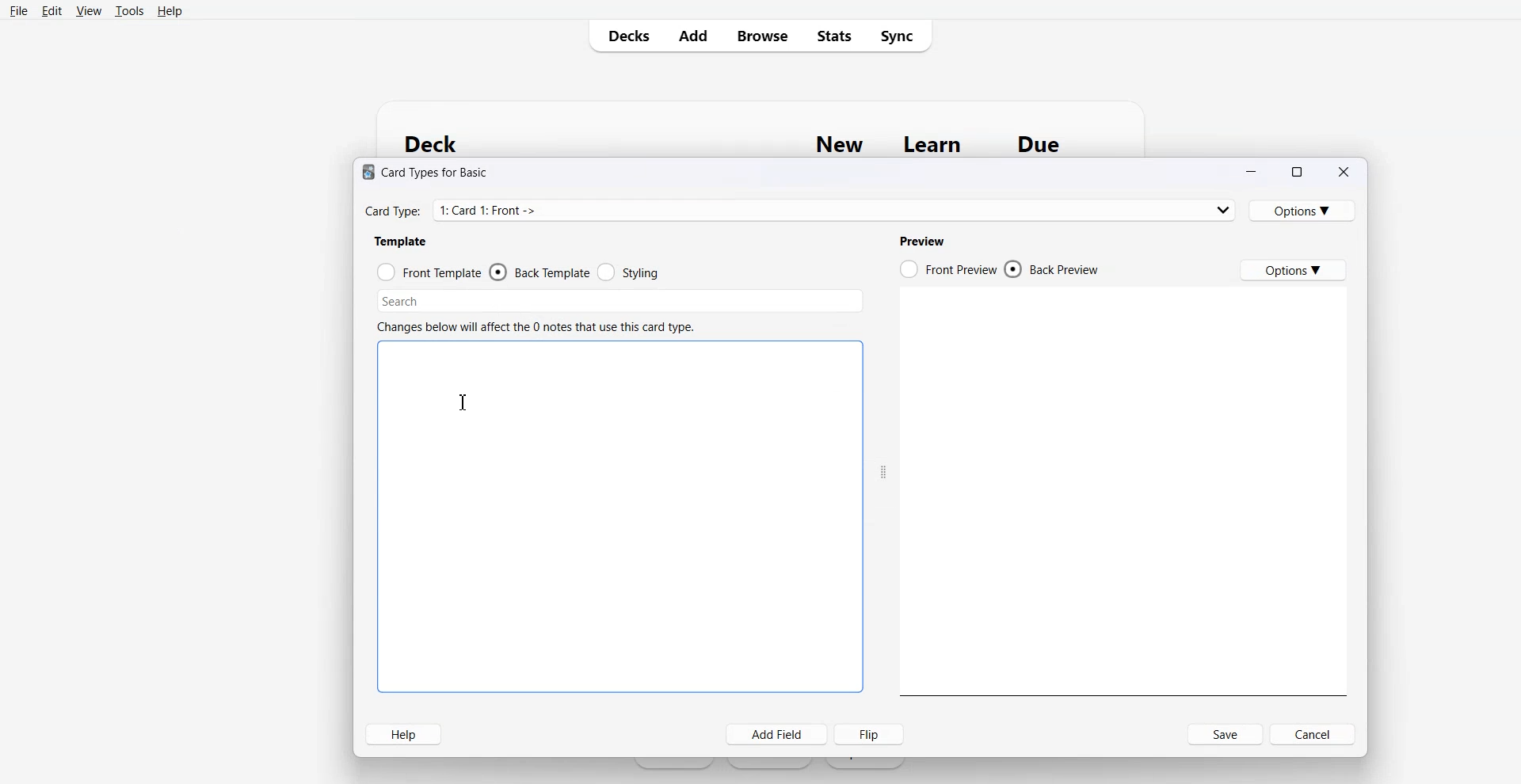 This screenshot has width=1521, height=784. Describe the element at coordinates (404, 734) in the screenshot. I see `Help` at that location.